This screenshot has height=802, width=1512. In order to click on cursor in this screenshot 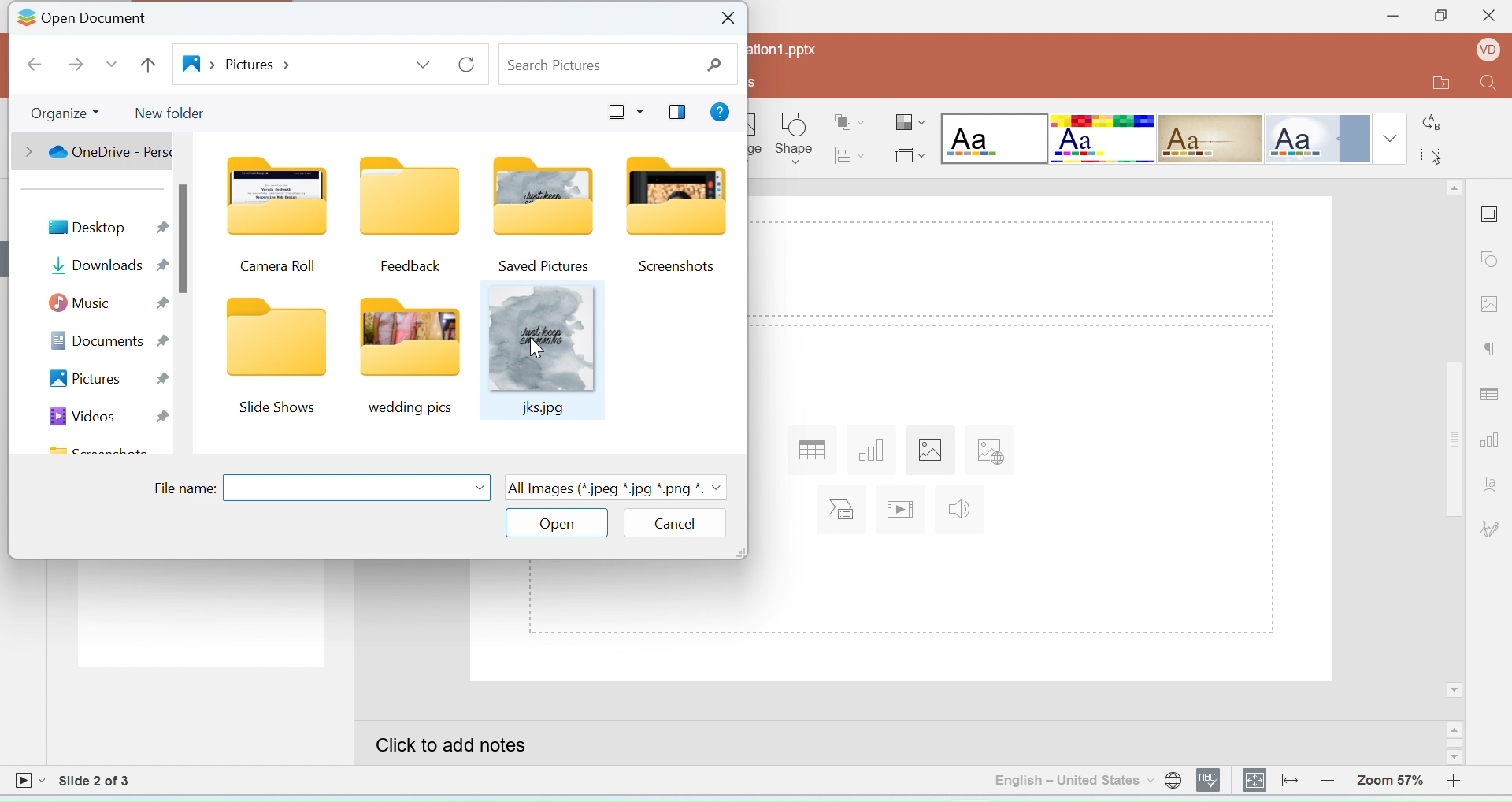, I will do `click(537, 348)`.